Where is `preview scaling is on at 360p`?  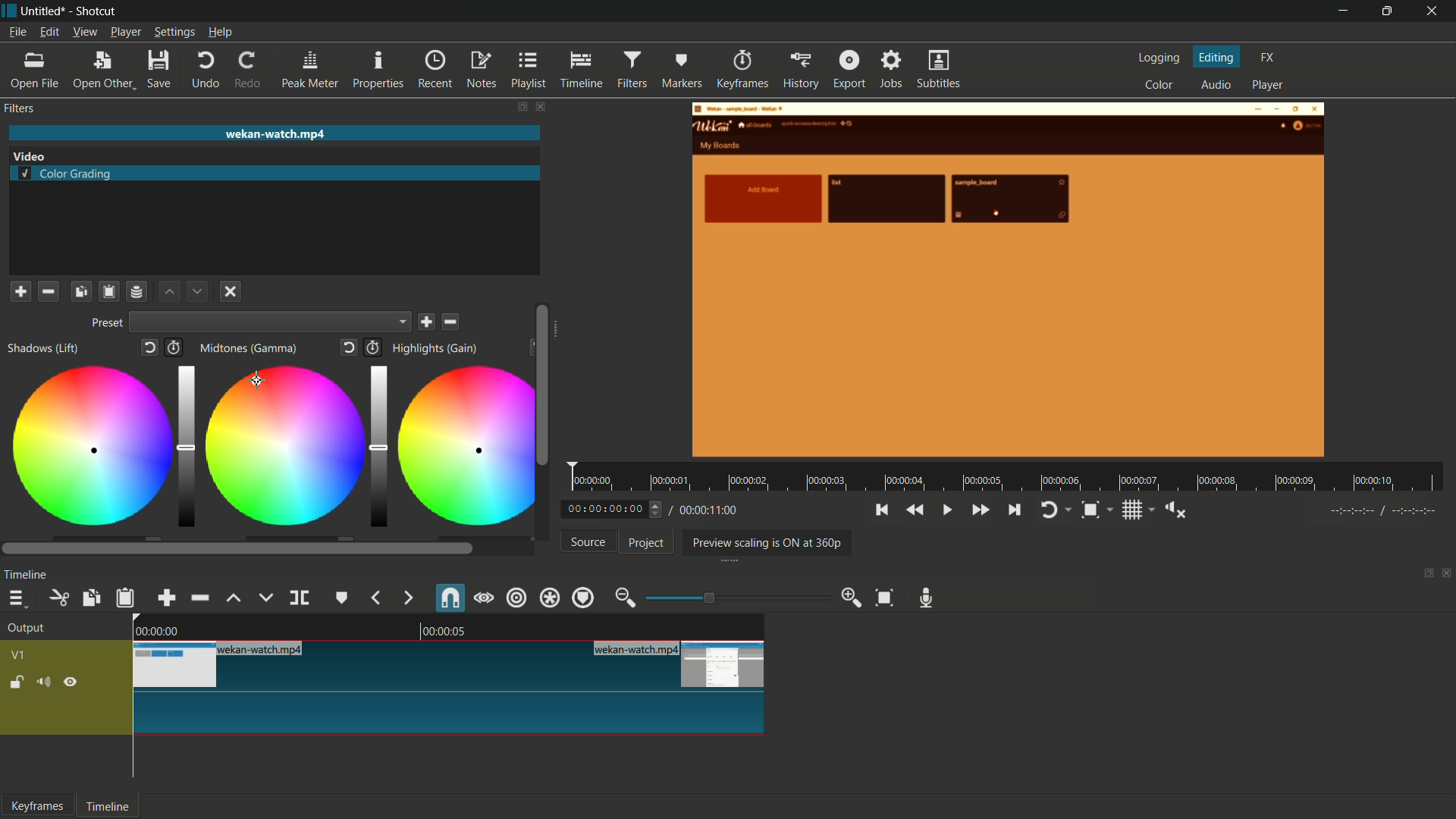 preview scaling is on at 360p is located at coordinates (767, 541).